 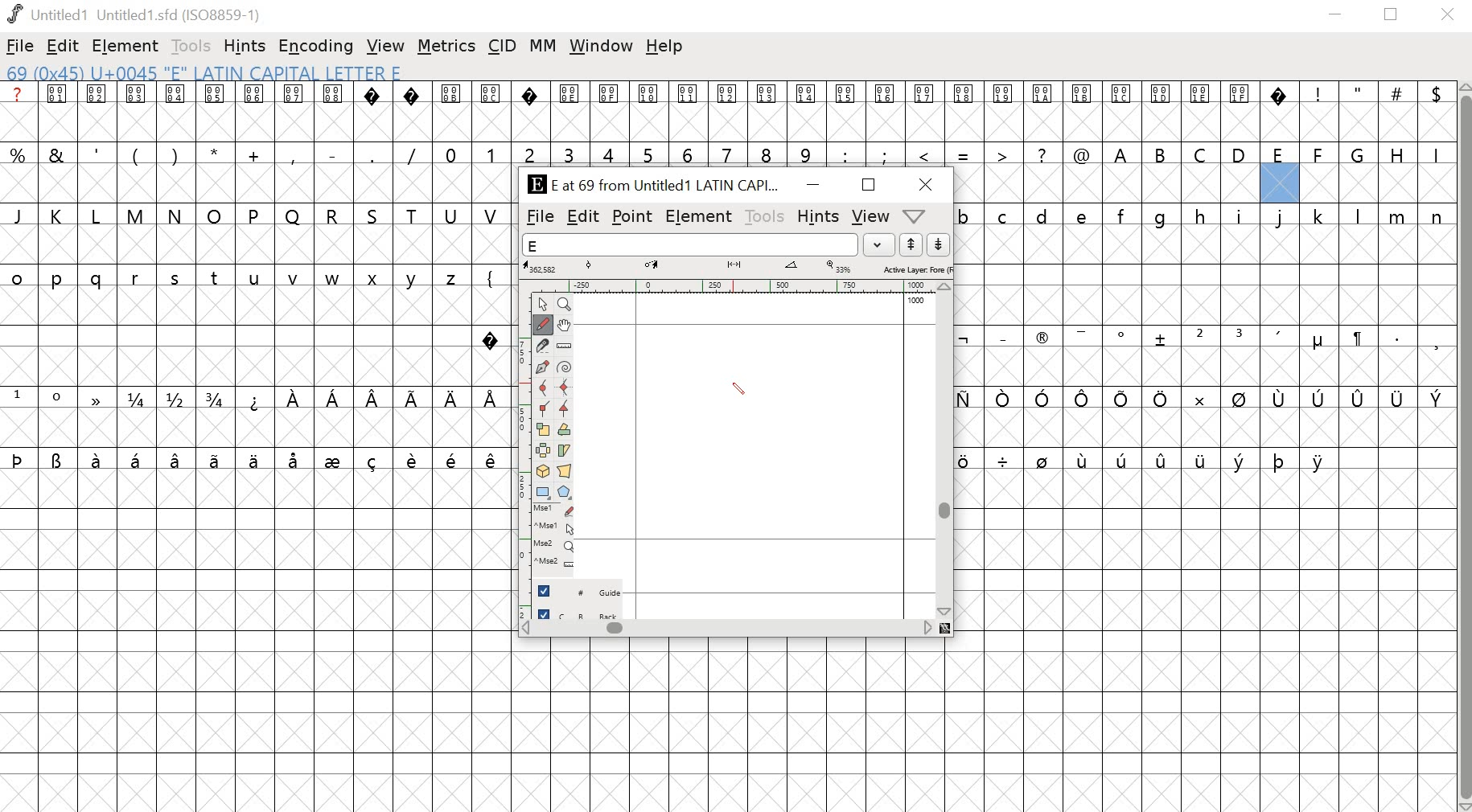 I want to click on Curve, so click(x=544, y=388).